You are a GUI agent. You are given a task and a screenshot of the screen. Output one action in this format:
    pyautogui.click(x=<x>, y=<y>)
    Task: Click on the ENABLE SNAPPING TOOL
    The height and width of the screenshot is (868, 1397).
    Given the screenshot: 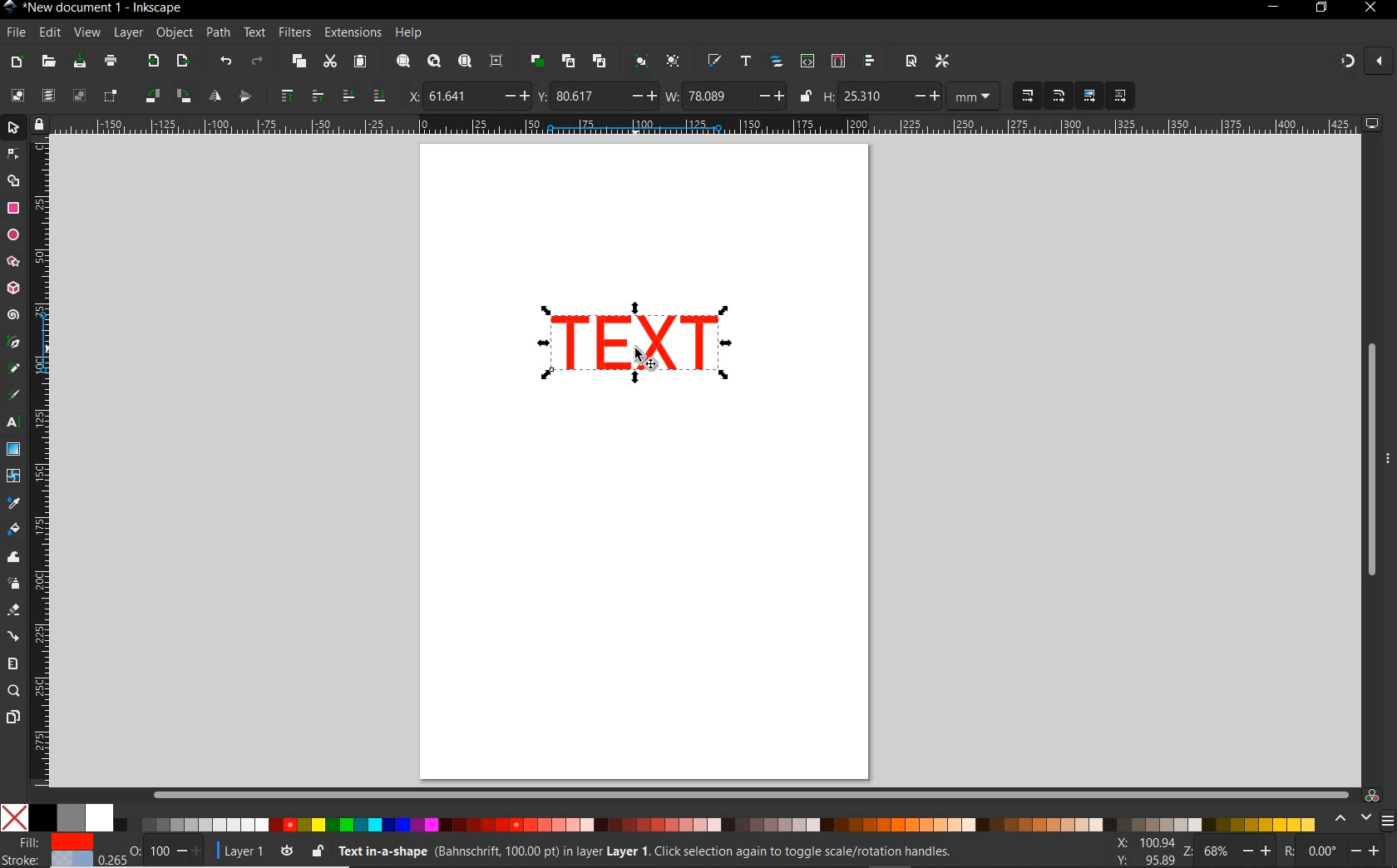 What is the action you would take?
    pyautogui.click(x=1356, y=62)
    